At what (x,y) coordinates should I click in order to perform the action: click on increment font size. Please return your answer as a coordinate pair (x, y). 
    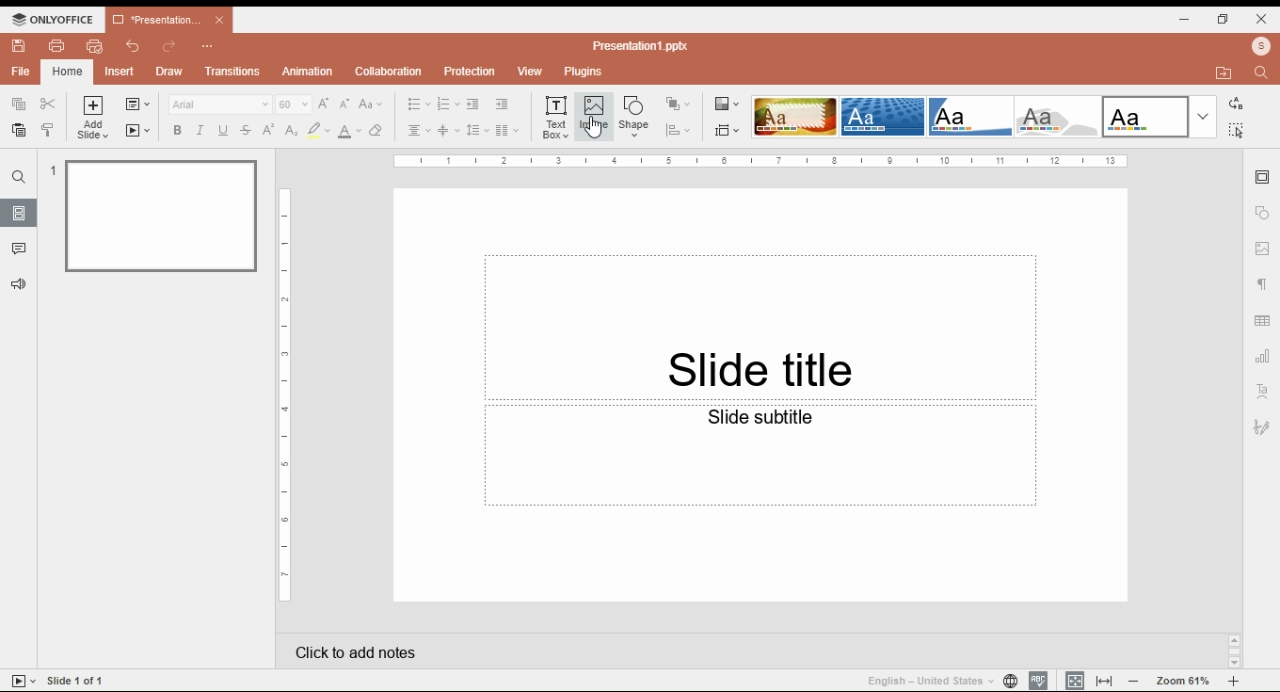
    Looking at the image, I should click on (324, 104).